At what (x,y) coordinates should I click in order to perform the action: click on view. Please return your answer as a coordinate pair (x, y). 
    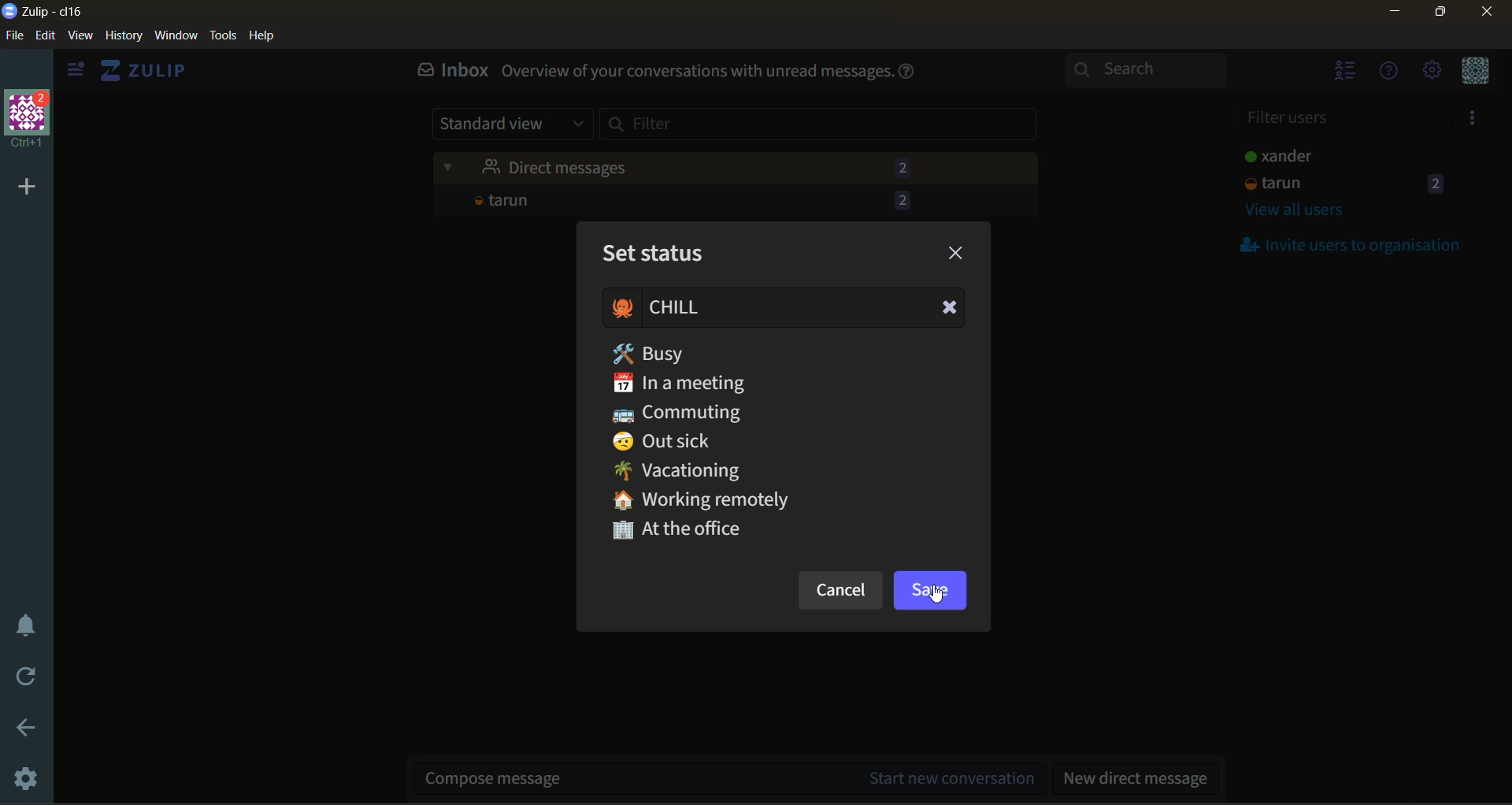
    Looking at the image, I should click on (85, 36).